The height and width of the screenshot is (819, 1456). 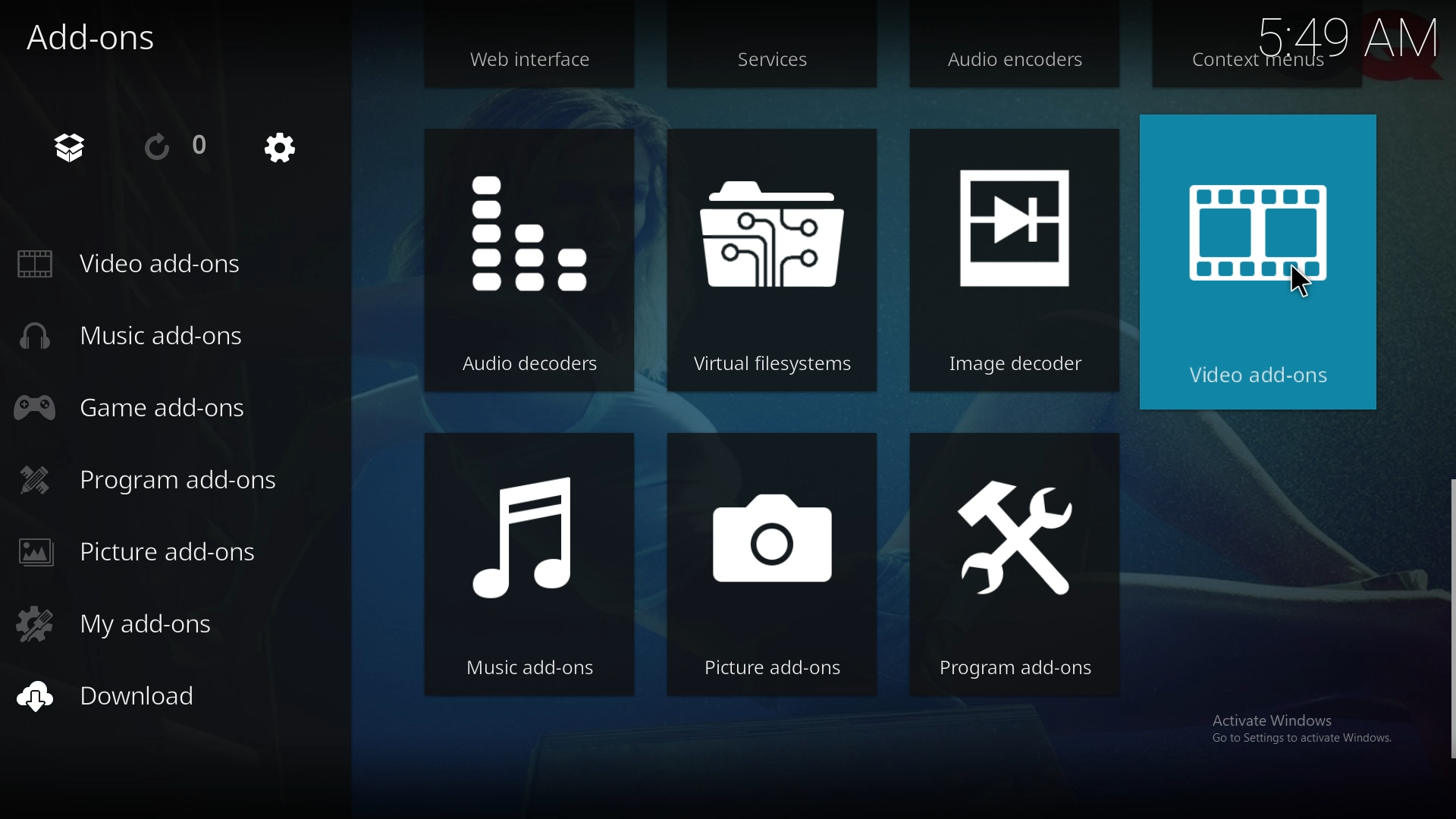 What do you see at coordinates (1260, 262) in the screenshot?
I see `video add ons` at bounding box center [1260, 262].